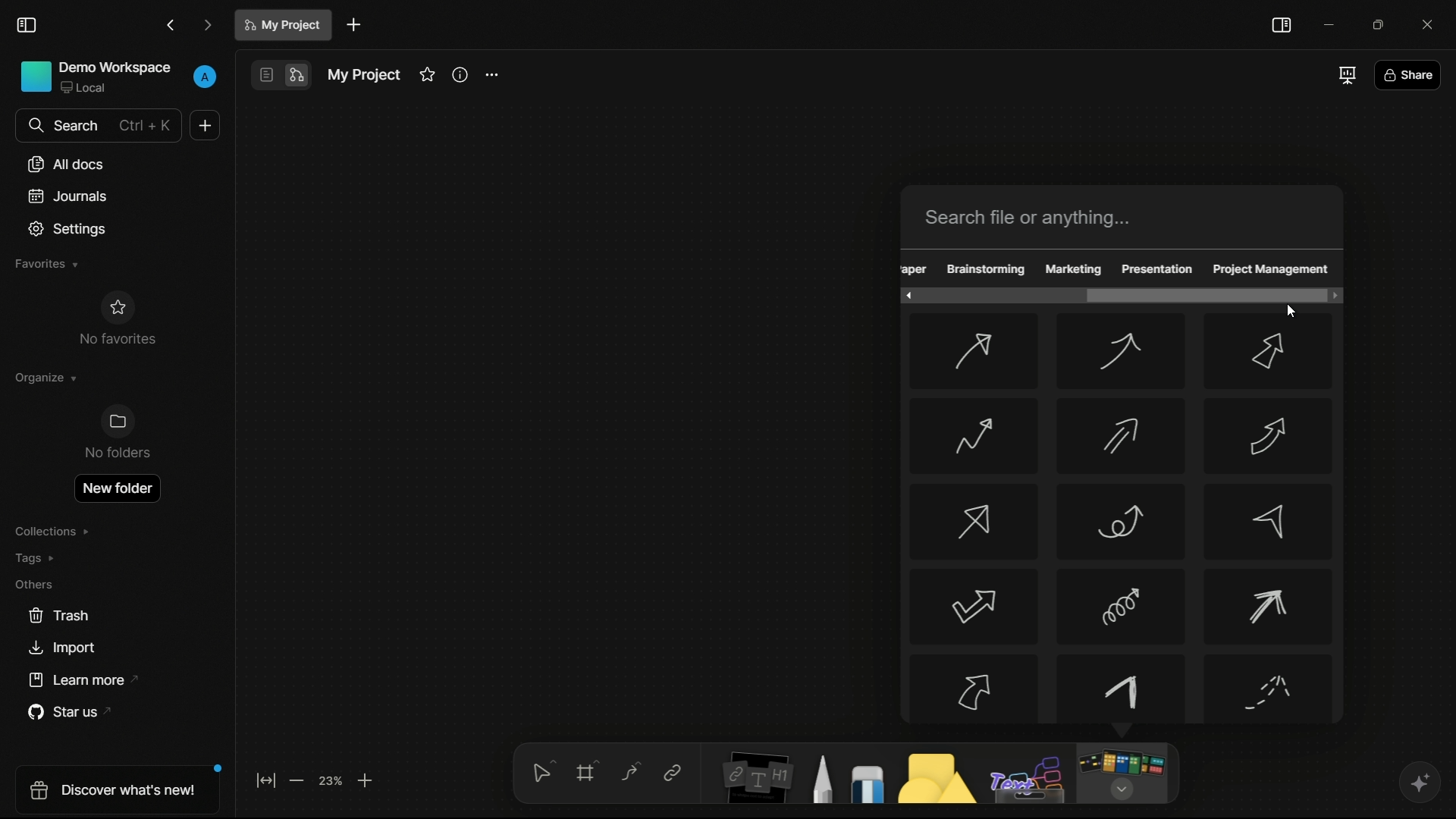  I want to click on connectors, so click(630, 773).